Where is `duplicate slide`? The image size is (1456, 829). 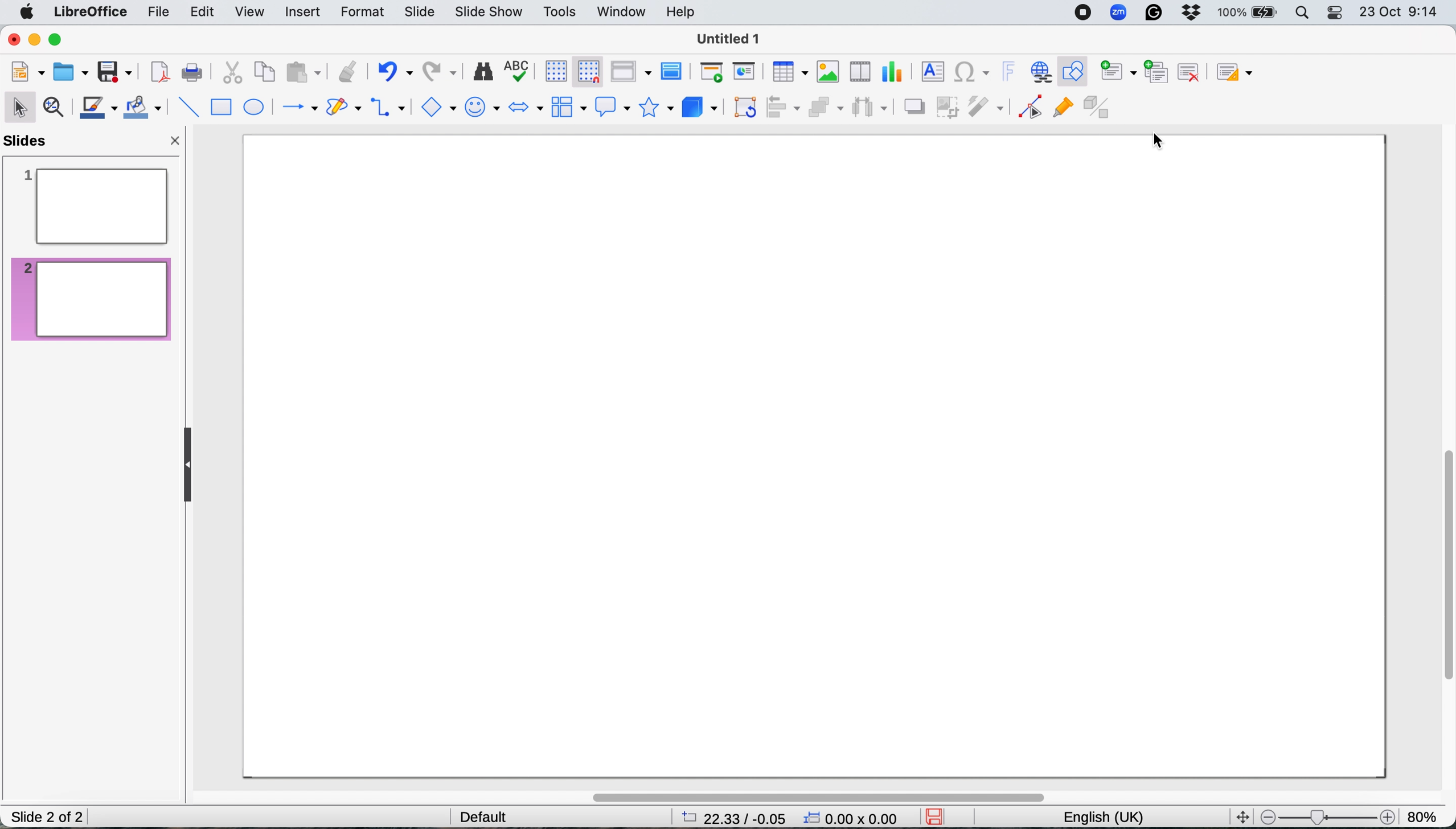
duplicate slide is located at coordinates (1159, 72).